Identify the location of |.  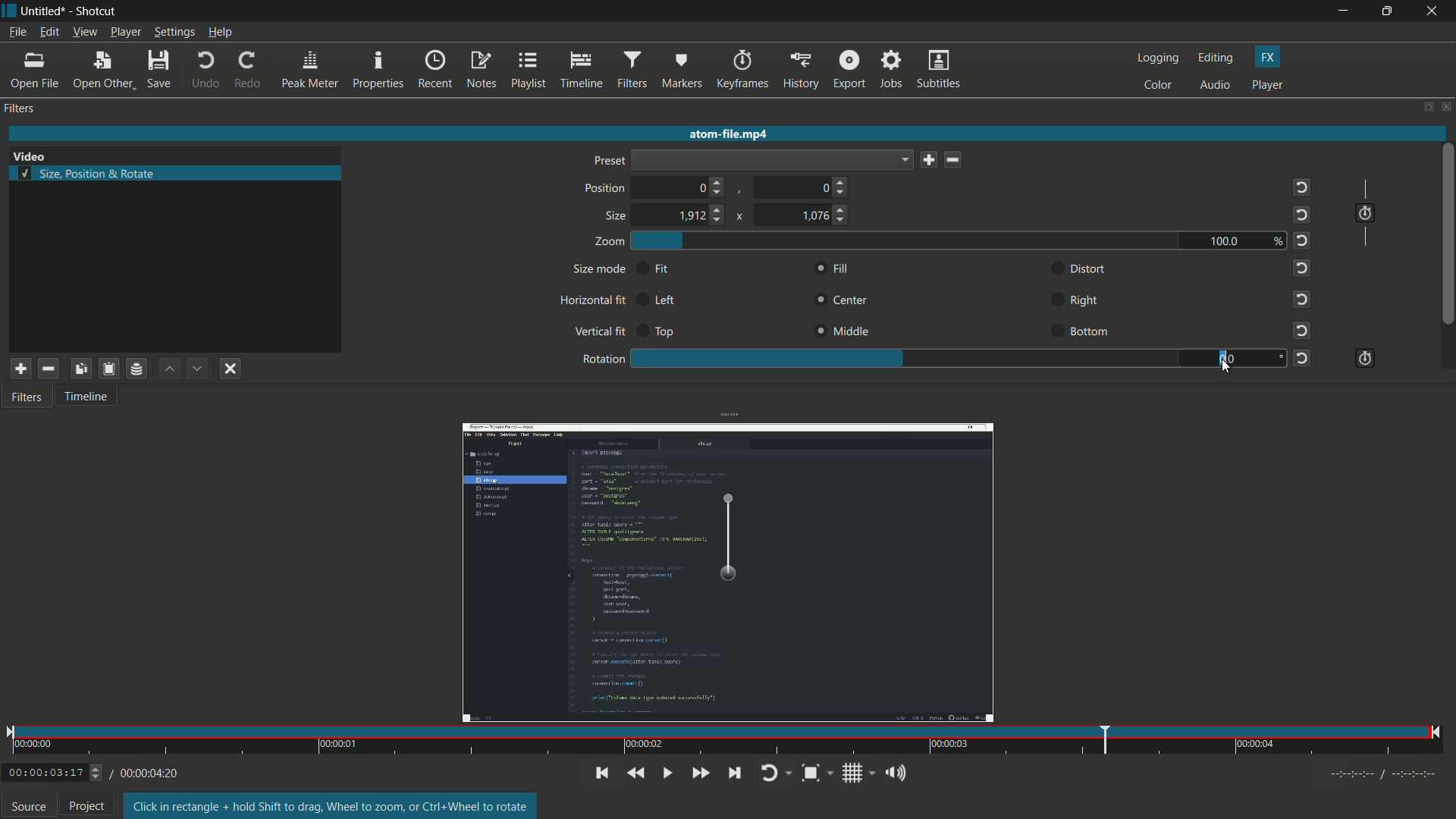
(1363, 184).